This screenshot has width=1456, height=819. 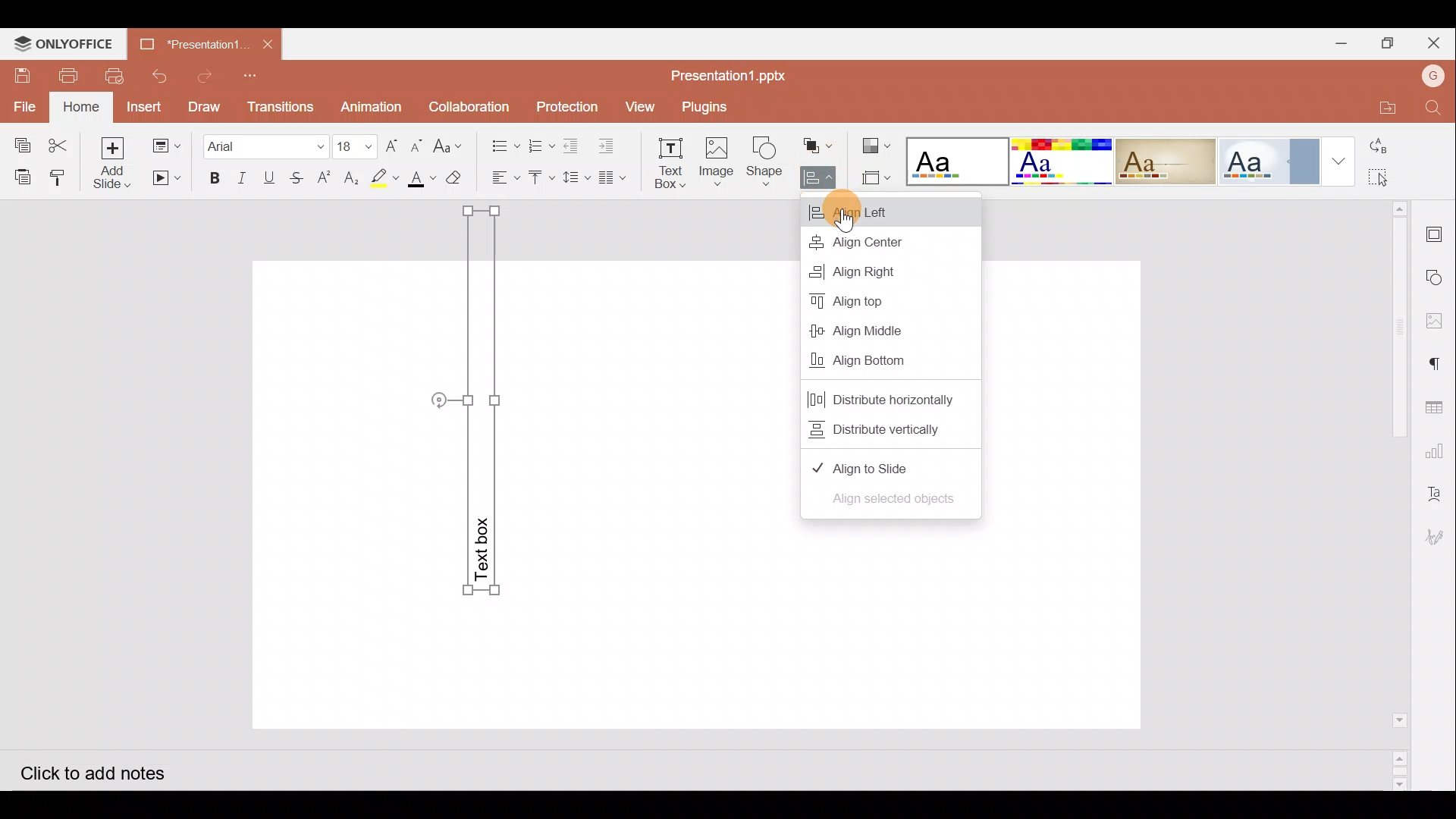 What do you see at coordinates (573, 145) in the screenshot?
I see `Decrease indent` at bounding box center [573, 145].